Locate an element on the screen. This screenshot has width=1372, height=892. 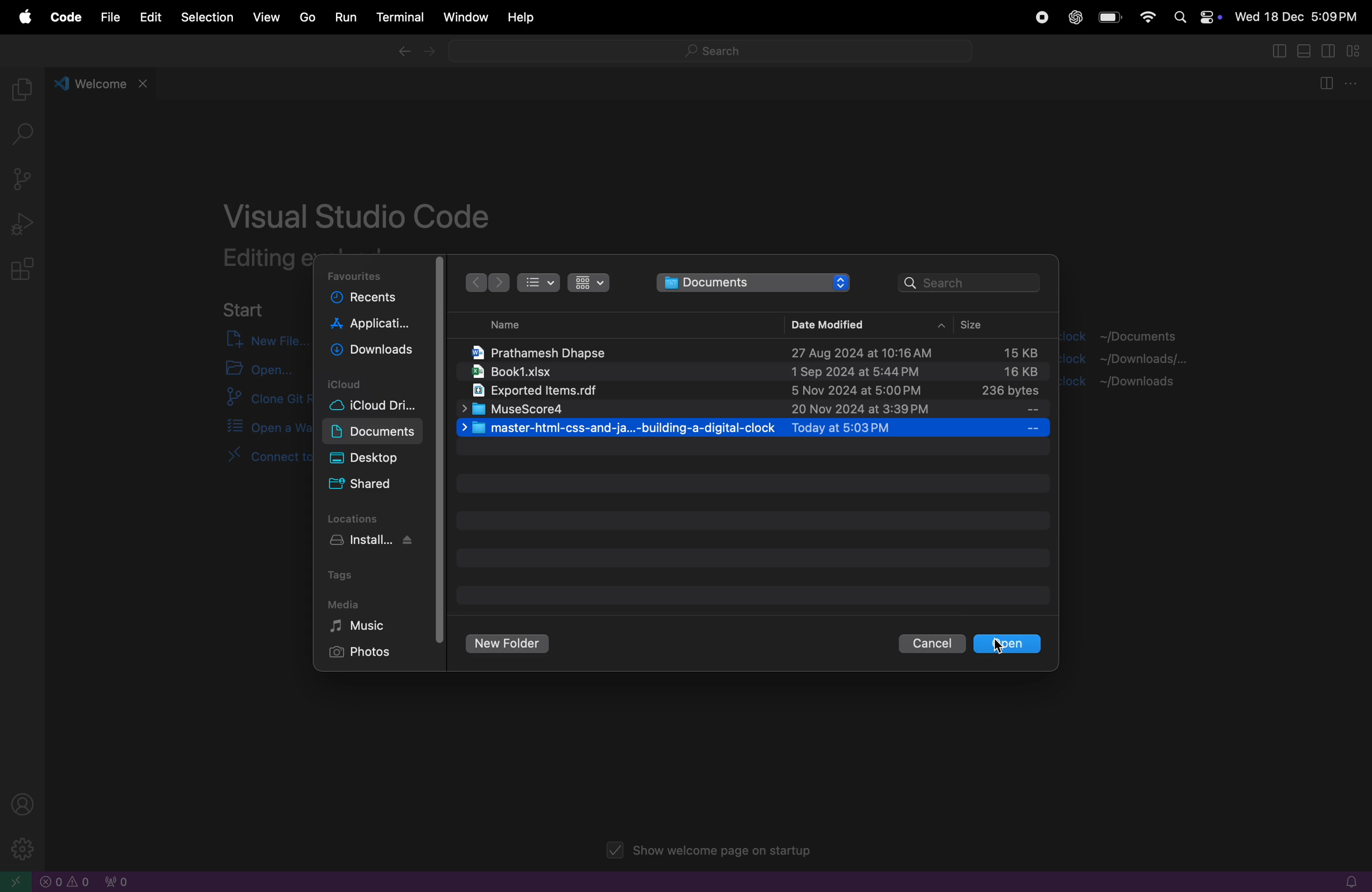
help is located at coordinates (522, 18).